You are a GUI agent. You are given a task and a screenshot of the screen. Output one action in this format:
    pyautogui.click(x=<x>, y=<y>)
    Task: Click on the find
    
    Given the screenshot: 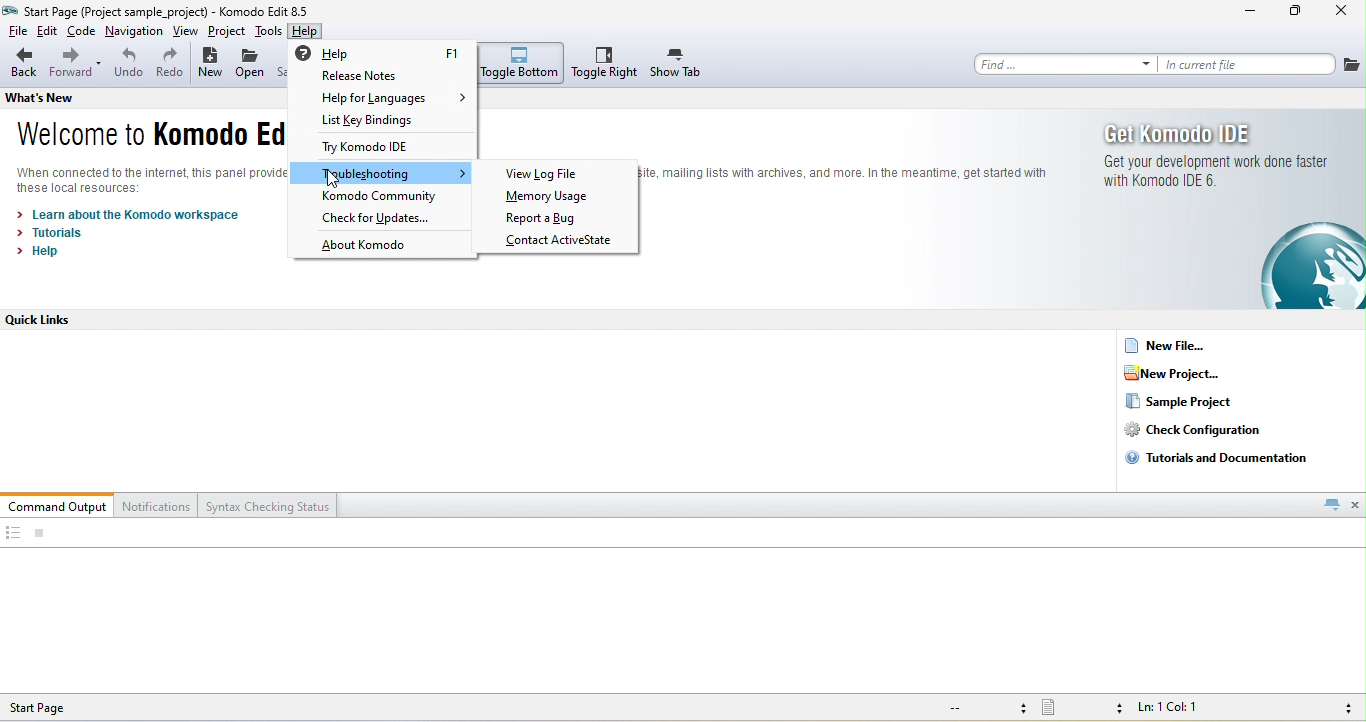 What is the action you would take?
    pyautogui.click(x=1065, y=64)
    